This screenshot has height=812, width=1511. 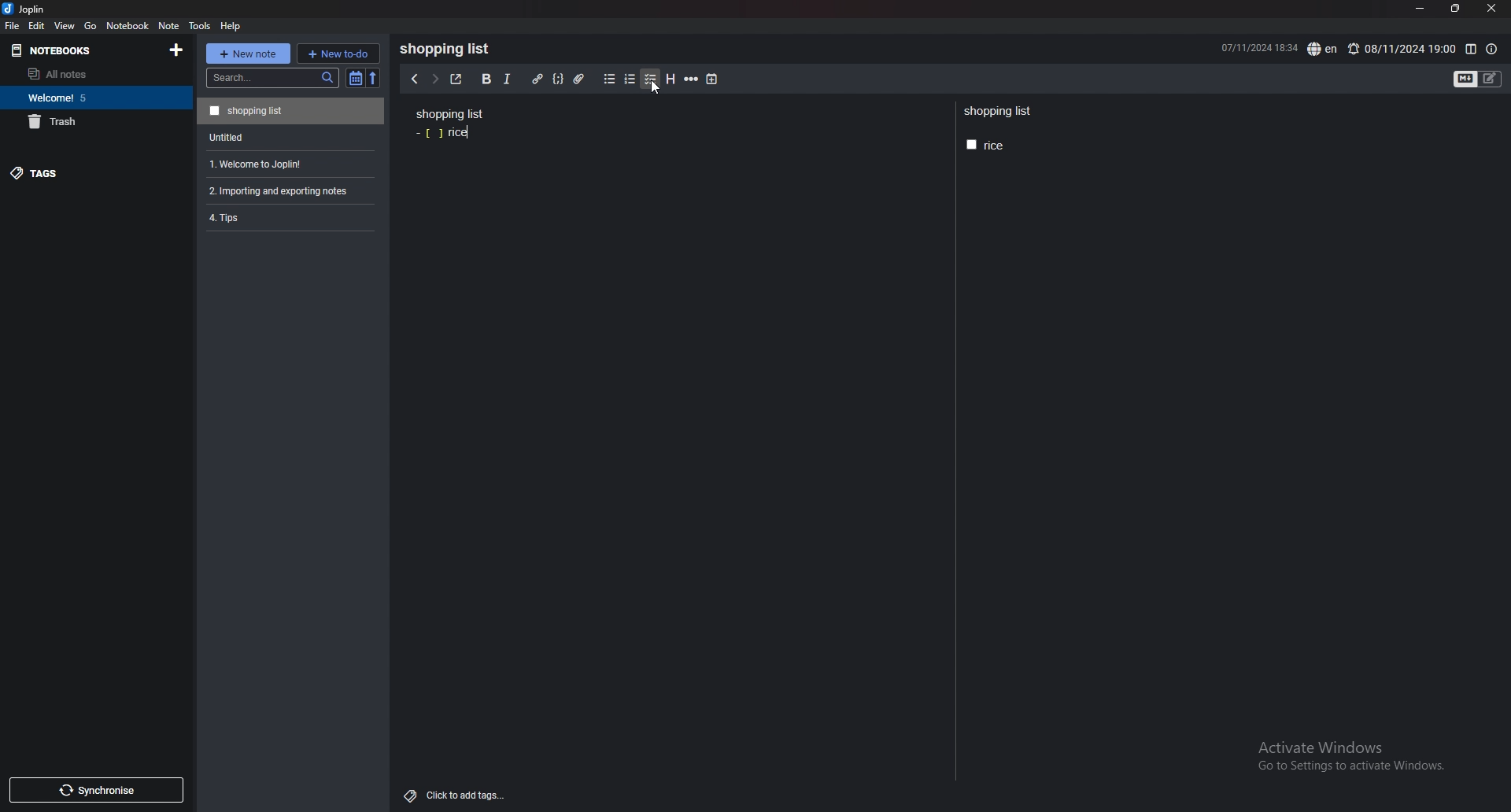 I want to click on 1. Welcome to Joplin!, so click(x=287, y=162).